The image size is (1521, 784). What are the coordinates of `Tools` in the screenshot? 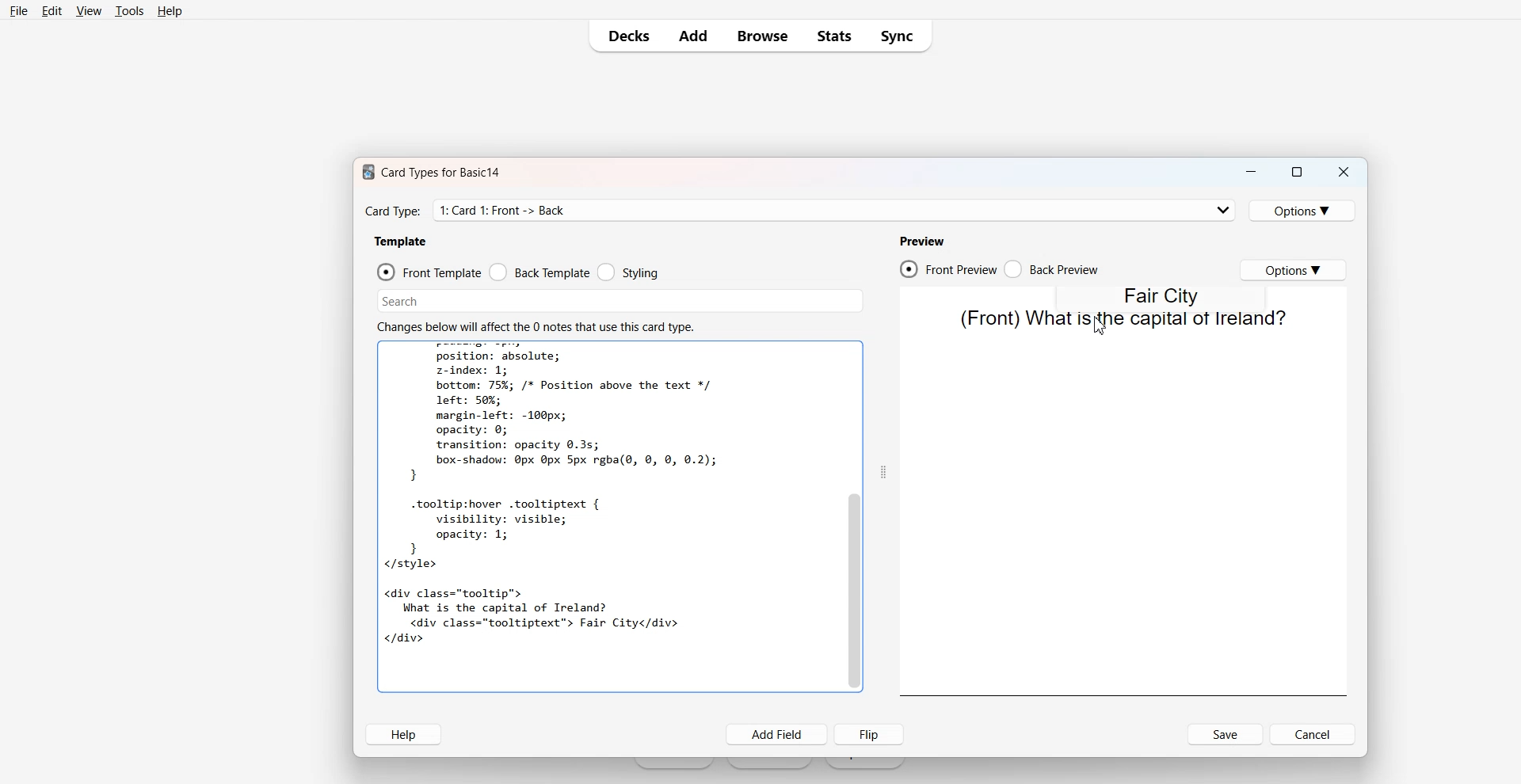 It's located at (129, 11).